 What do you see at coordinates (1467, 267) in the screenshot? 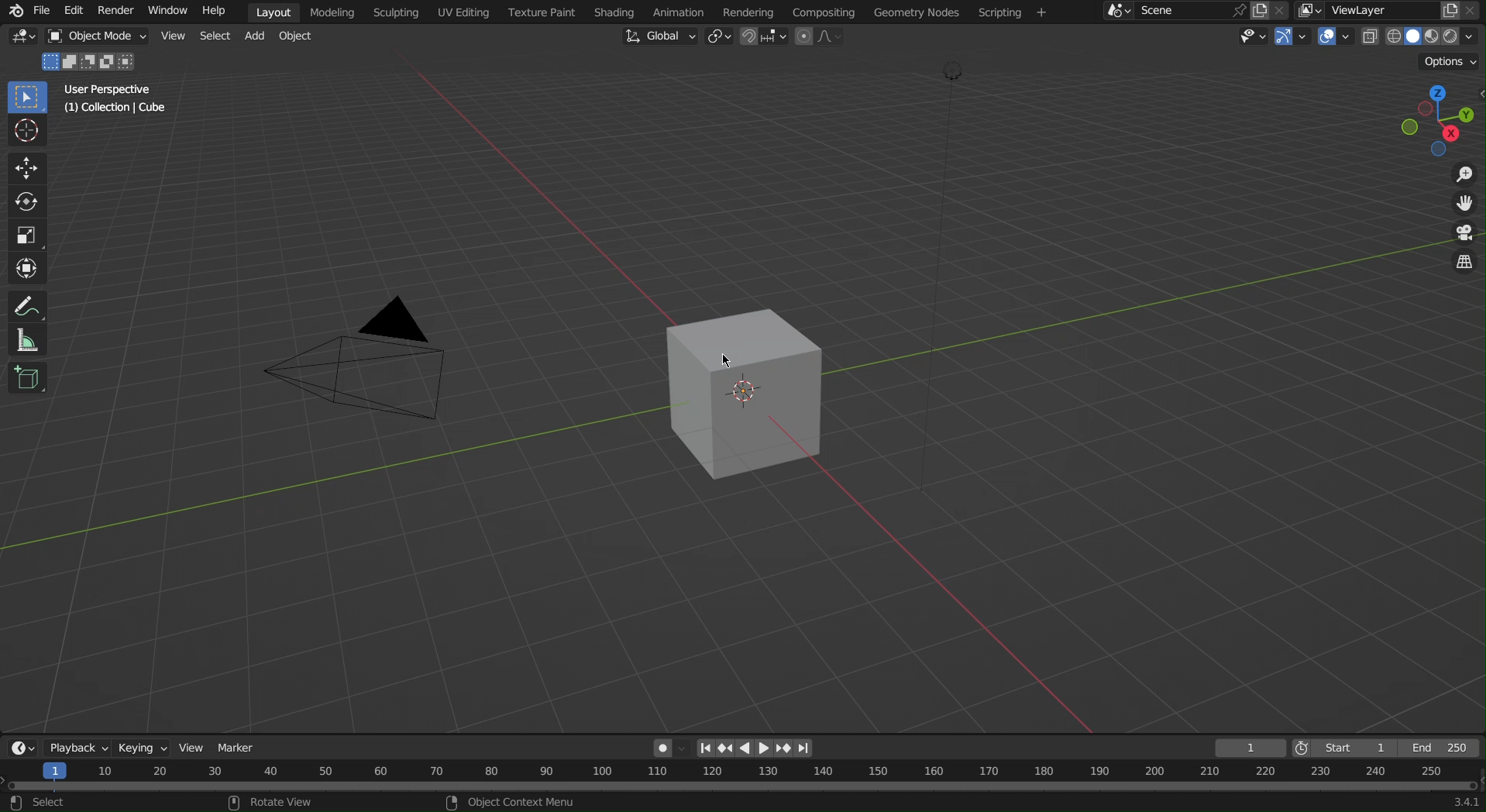
I see `Toggle View` at bounding box center [1467, 267].